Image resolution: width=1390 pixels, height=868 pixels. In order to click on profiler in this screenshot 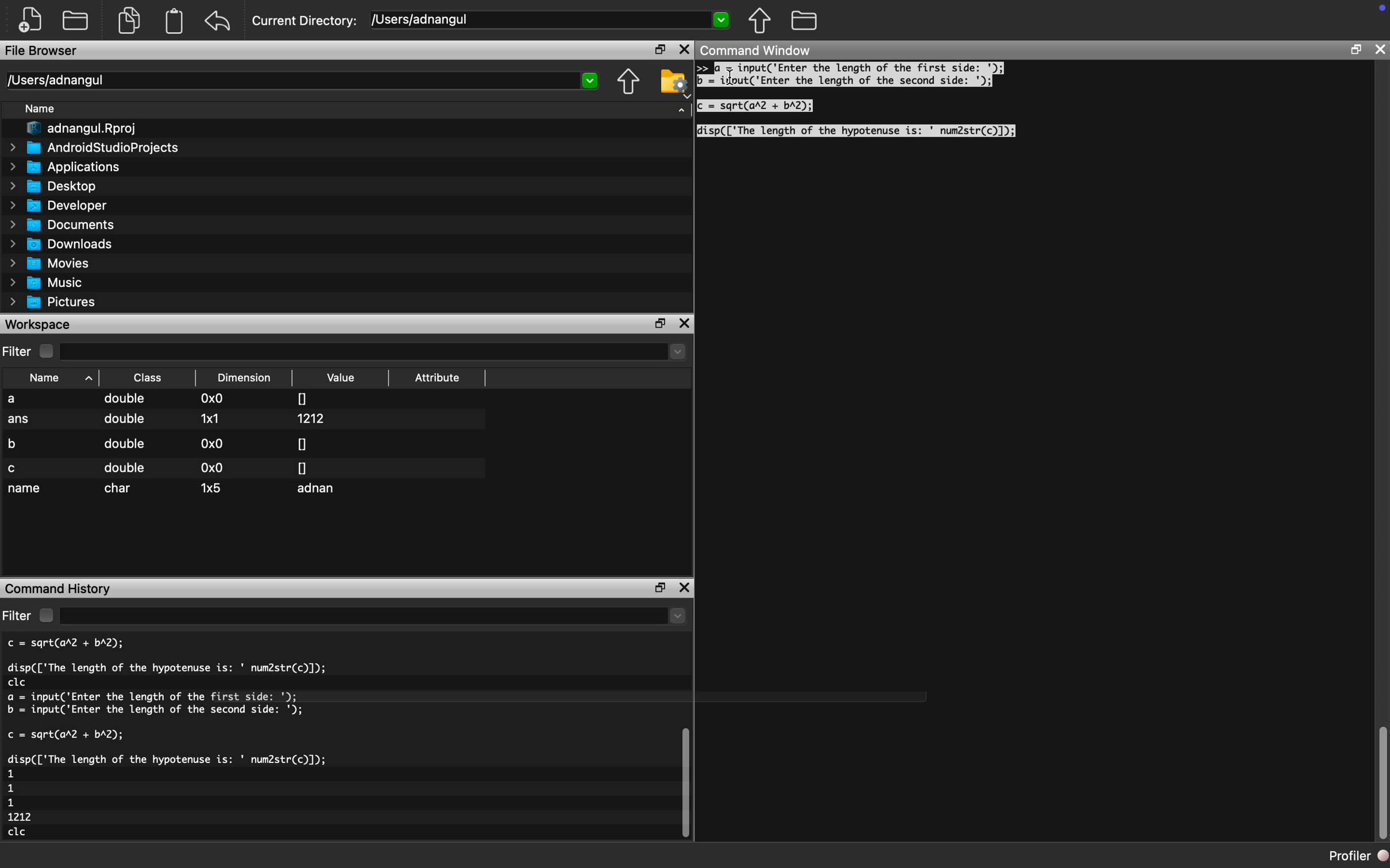, I will do `click(1346, 855)`.